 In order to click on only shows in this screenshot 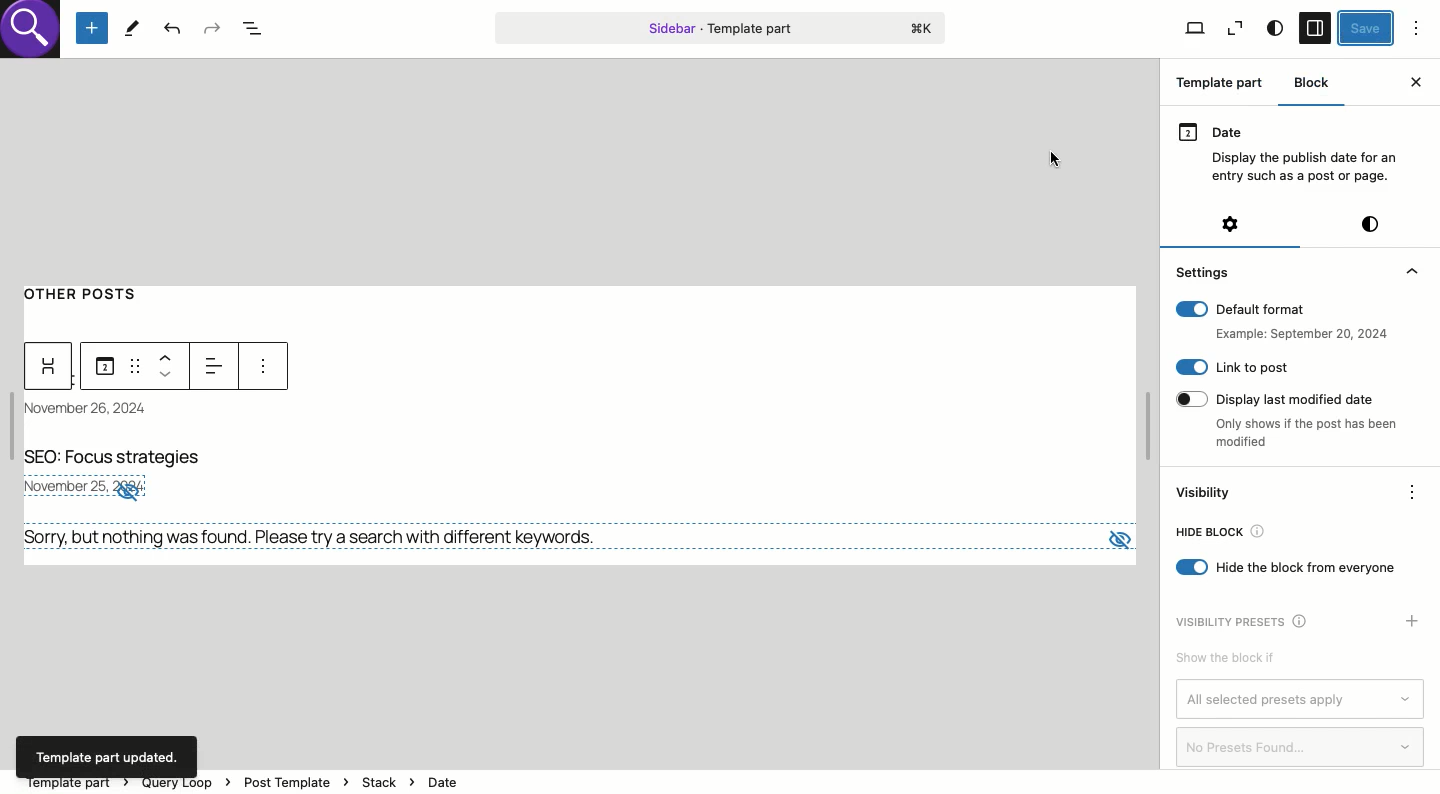, I will do `click(1307, 435)`.